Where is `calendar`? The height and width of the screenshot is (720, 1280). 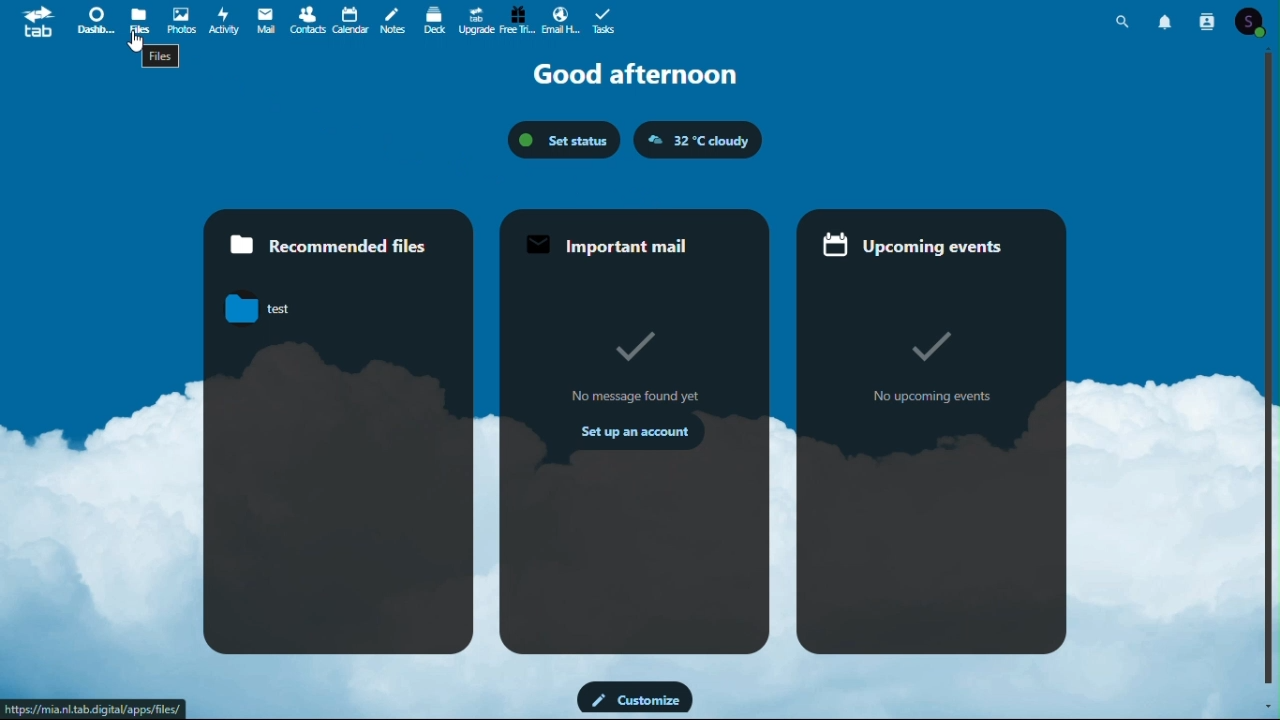 calendar is located at coordinates (349, 19).